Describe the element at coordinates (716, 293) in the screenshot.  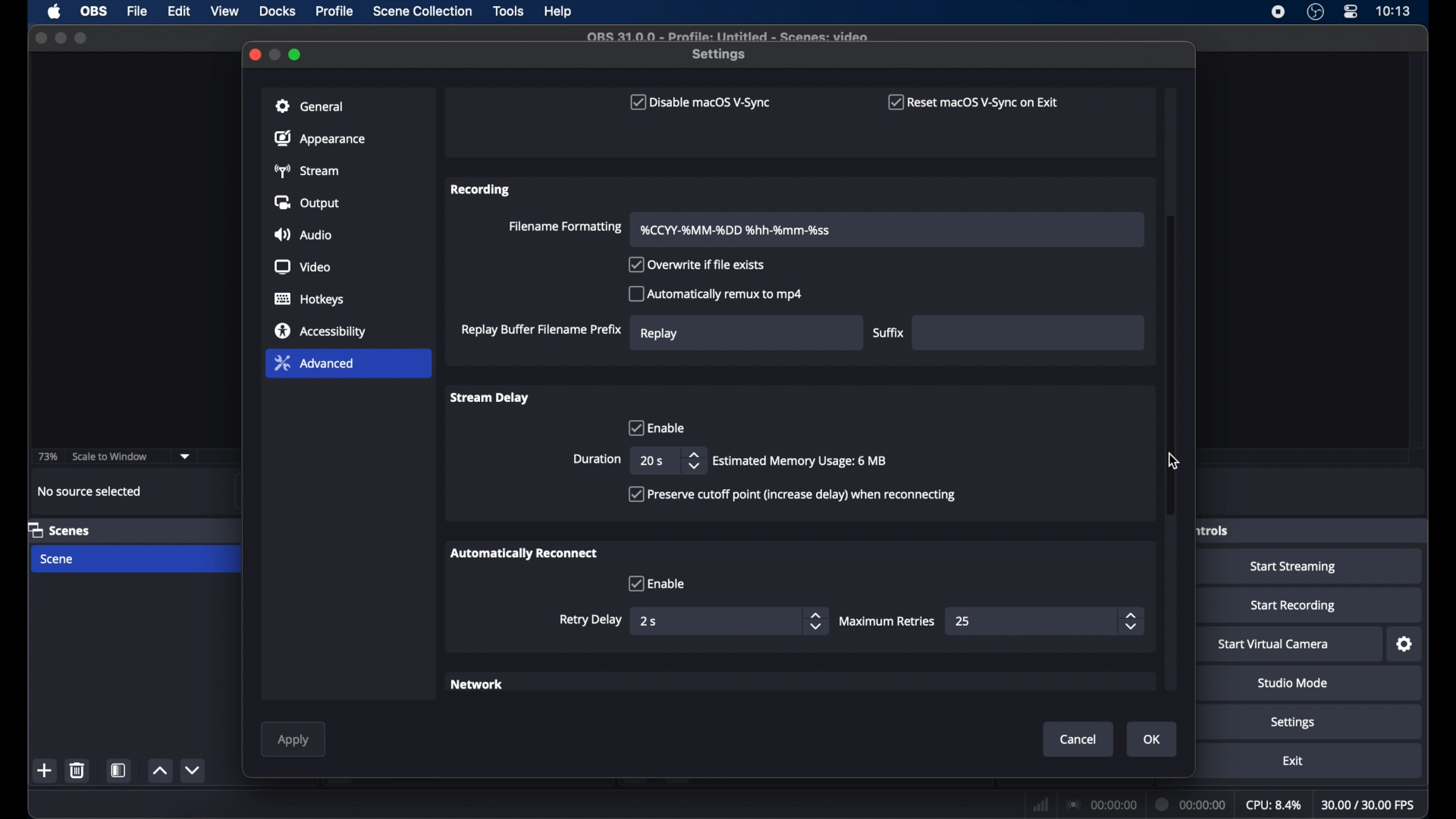
I see `automatically remux to mp4` at that location.